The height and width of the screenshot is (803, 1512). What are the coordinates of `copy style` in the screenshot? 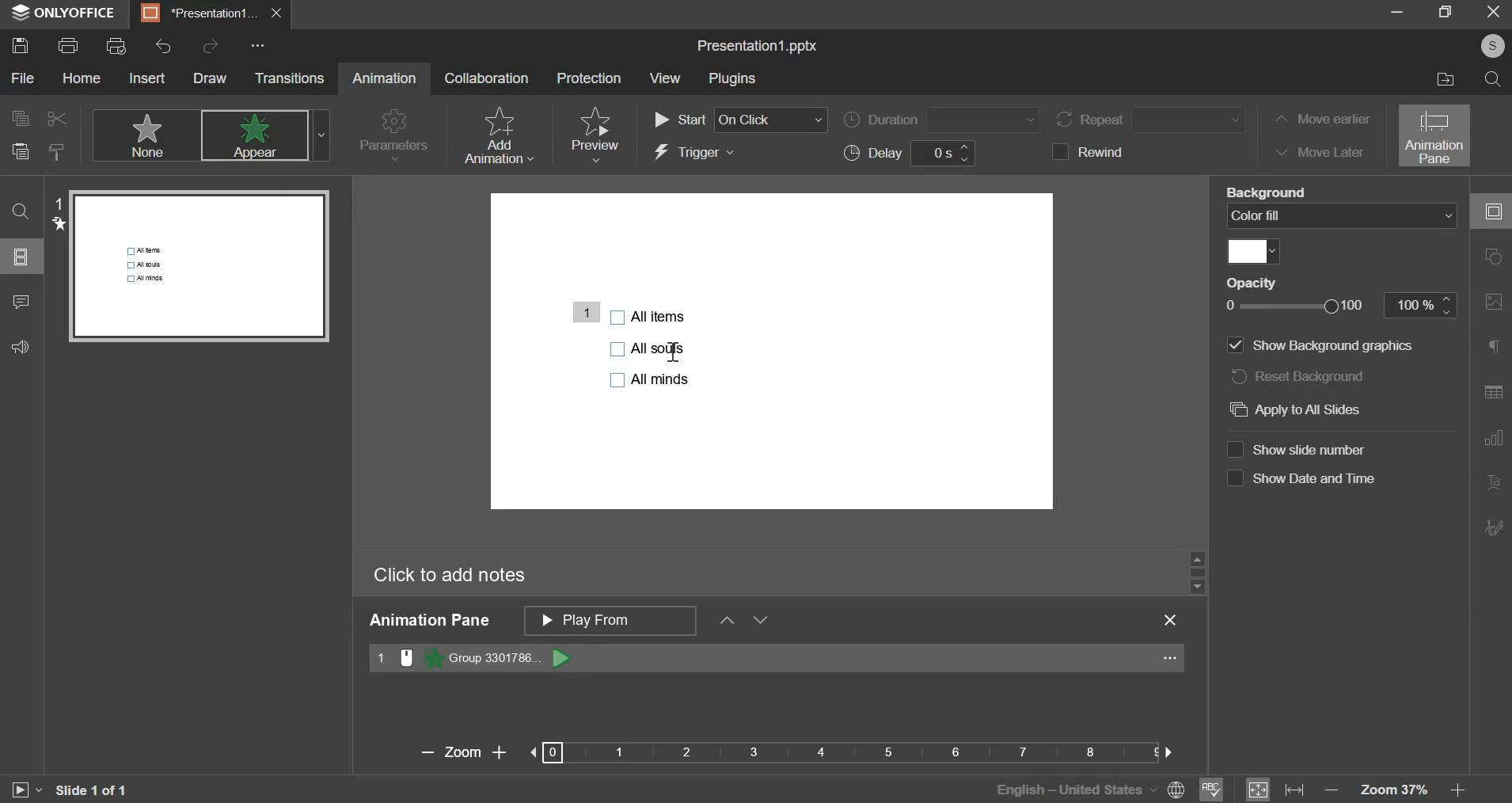 It's located at (59, 151).